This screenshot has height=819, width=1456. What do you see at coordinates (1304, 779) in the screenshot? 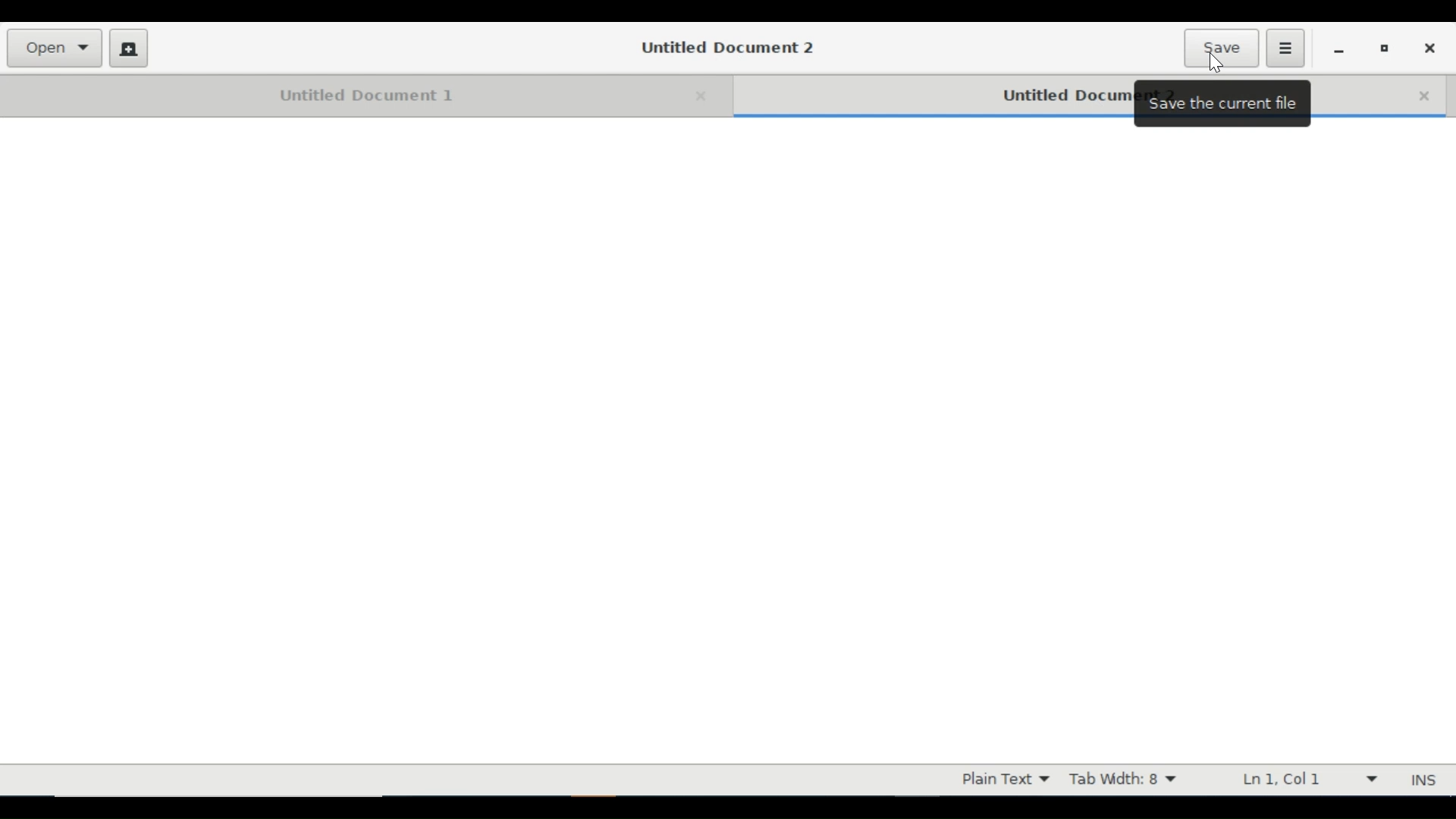
I see `Ln 1 Col 1` at bounding box center [1304, 779].